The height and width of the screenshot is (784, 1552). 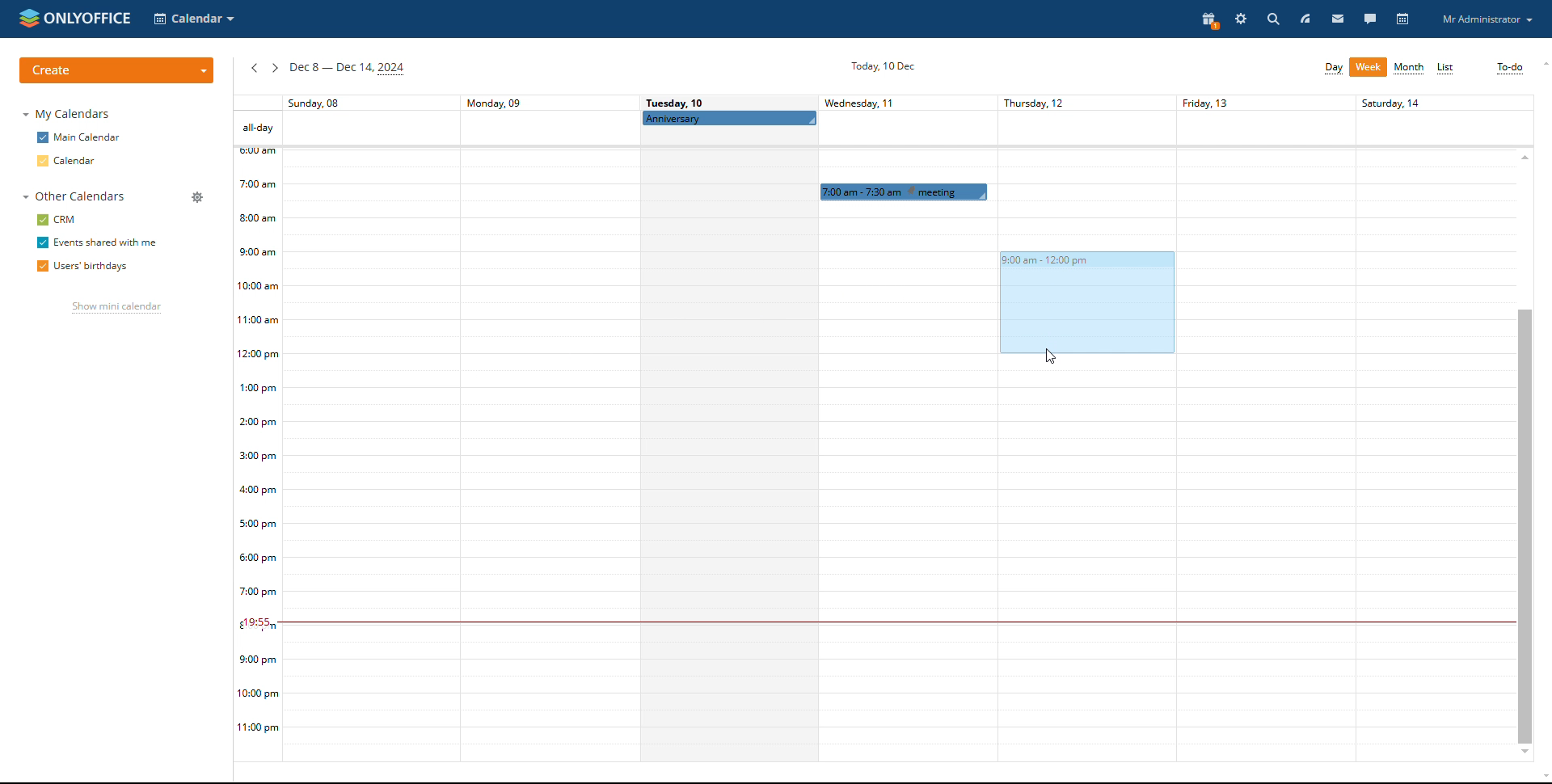 What do you see at coordinates (879, 67) in the screenshot?
I see `current date` at bounding box center [879, 67].